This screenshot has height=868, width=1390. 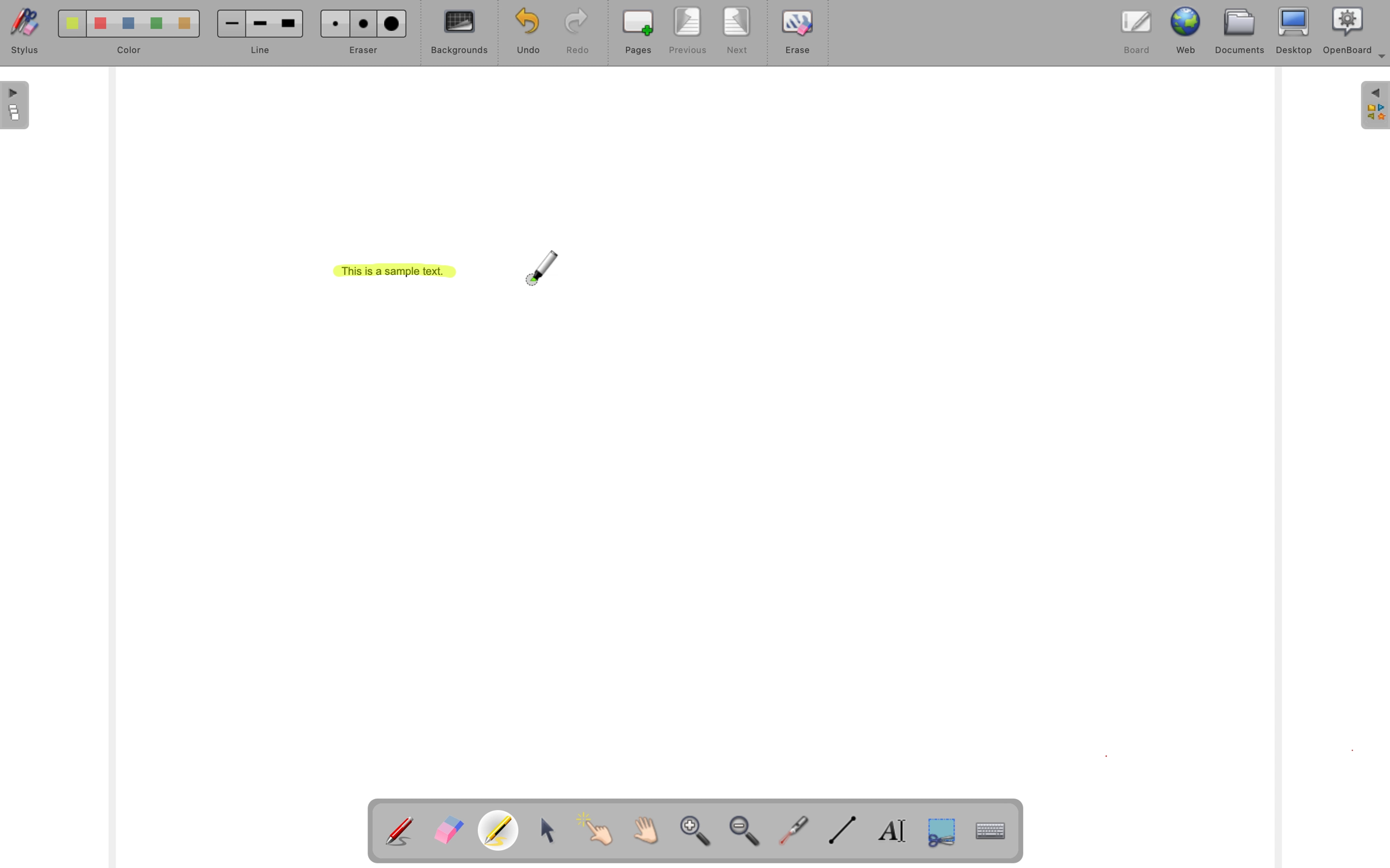 I want to click on next, so click(x=736, y=31).